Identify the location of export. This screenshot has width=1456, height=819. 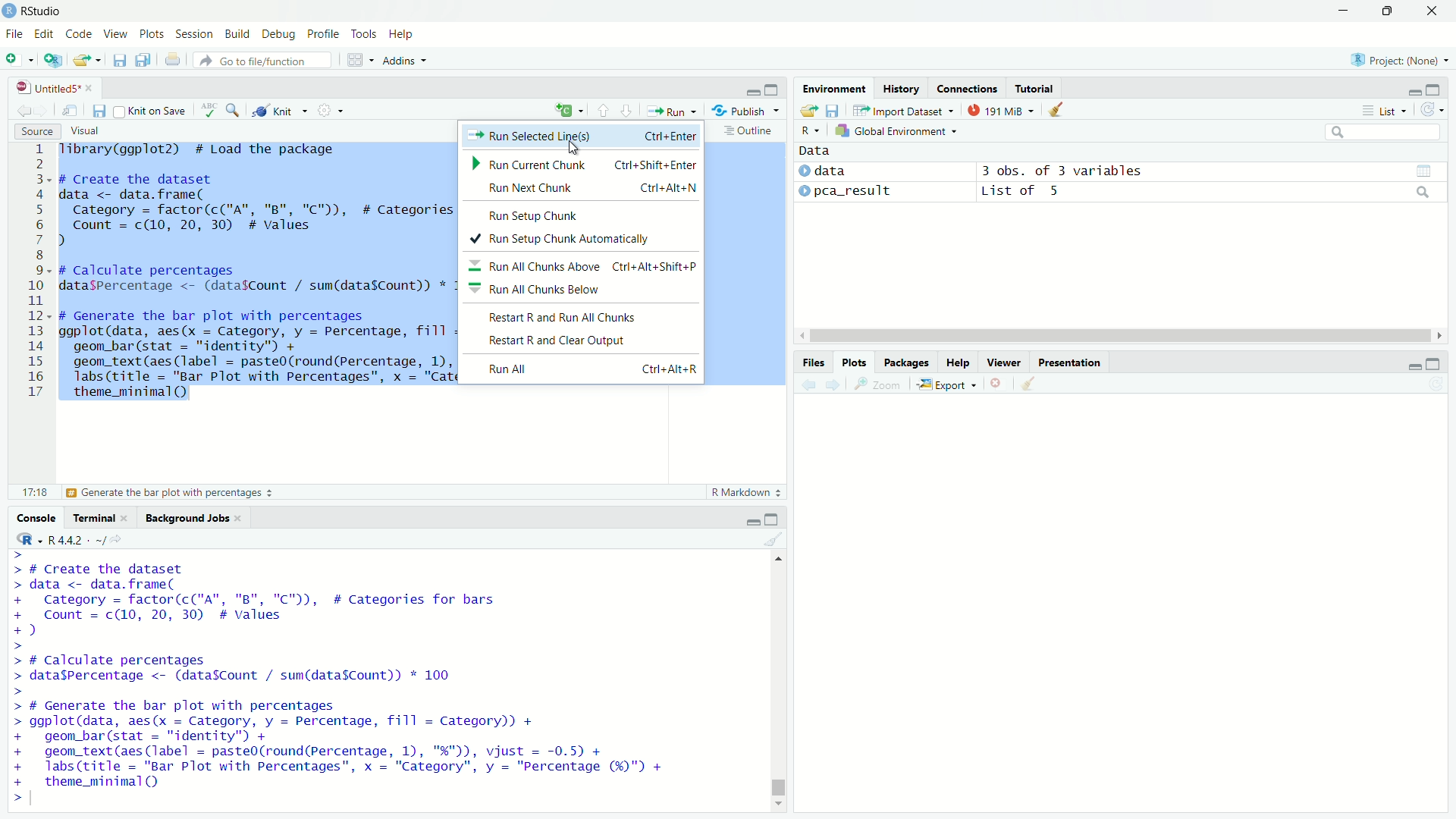
(947, 383).